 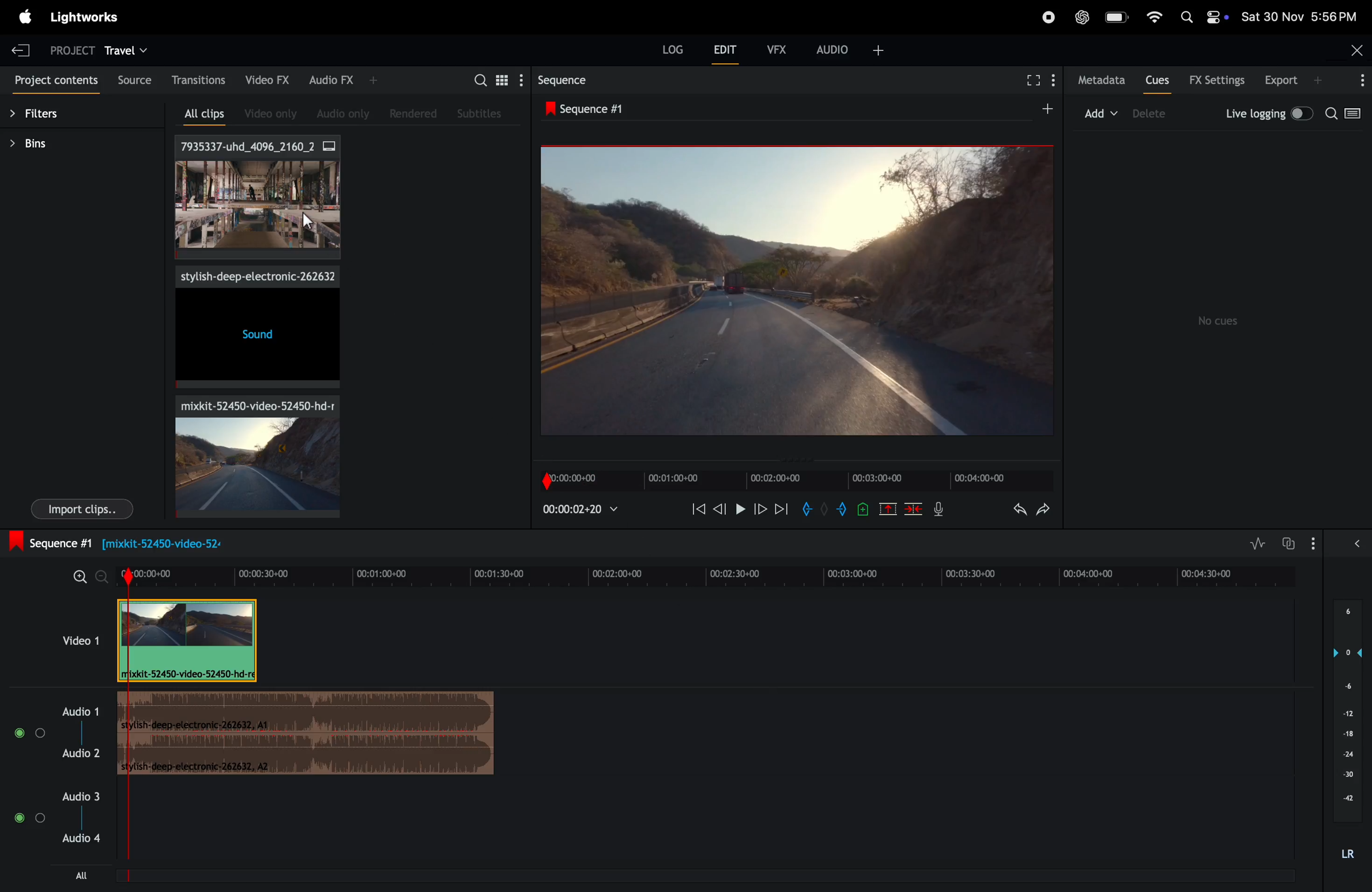 What do you see at coordinates (1359, 80) in the screenshot?
I see `options` at bounding box center [1359, 80].